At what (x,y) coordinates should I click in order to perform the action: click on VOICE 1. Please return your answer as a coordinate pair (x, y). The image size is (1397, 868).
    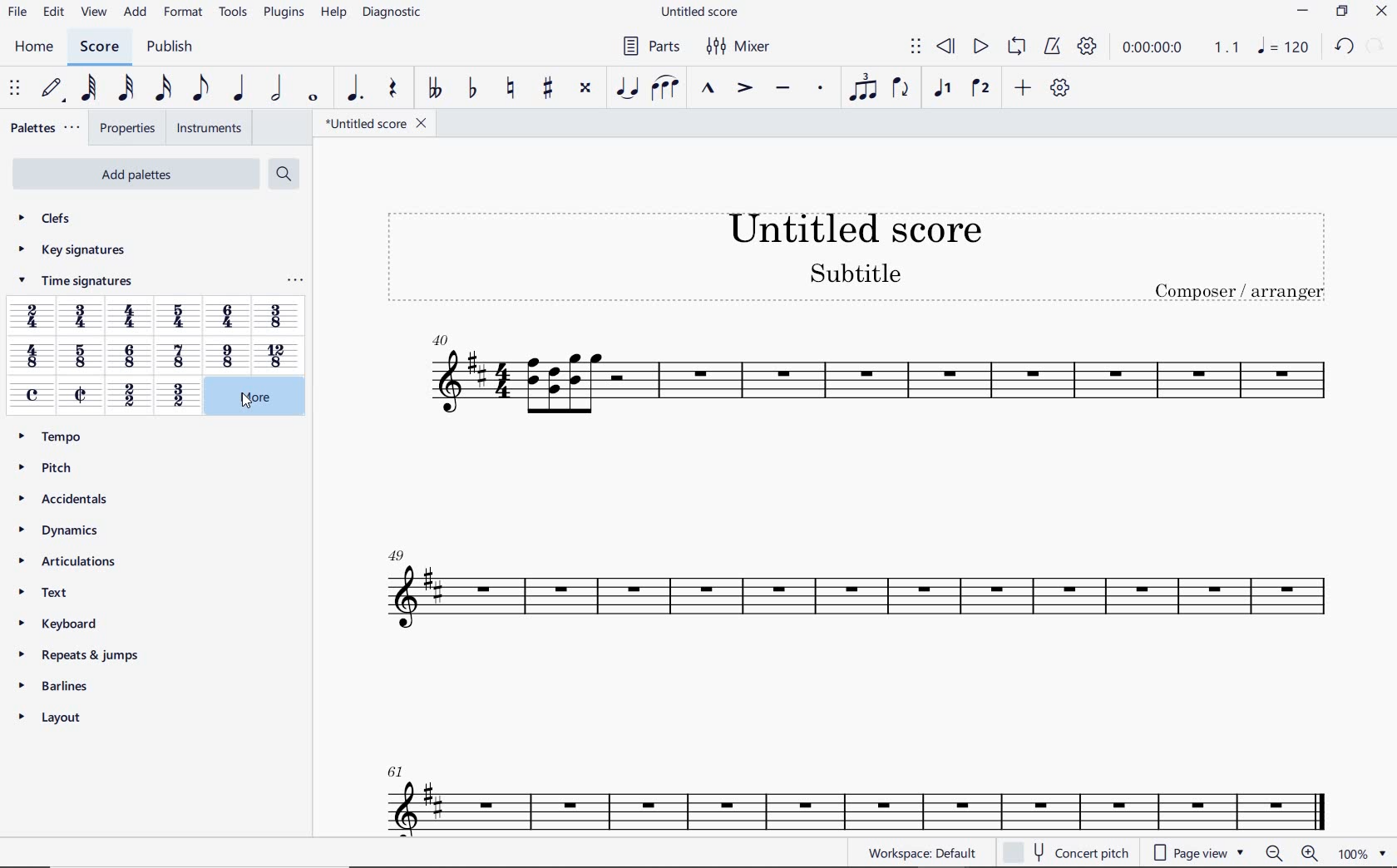
    Looking at the image, I should click on (945, 91).